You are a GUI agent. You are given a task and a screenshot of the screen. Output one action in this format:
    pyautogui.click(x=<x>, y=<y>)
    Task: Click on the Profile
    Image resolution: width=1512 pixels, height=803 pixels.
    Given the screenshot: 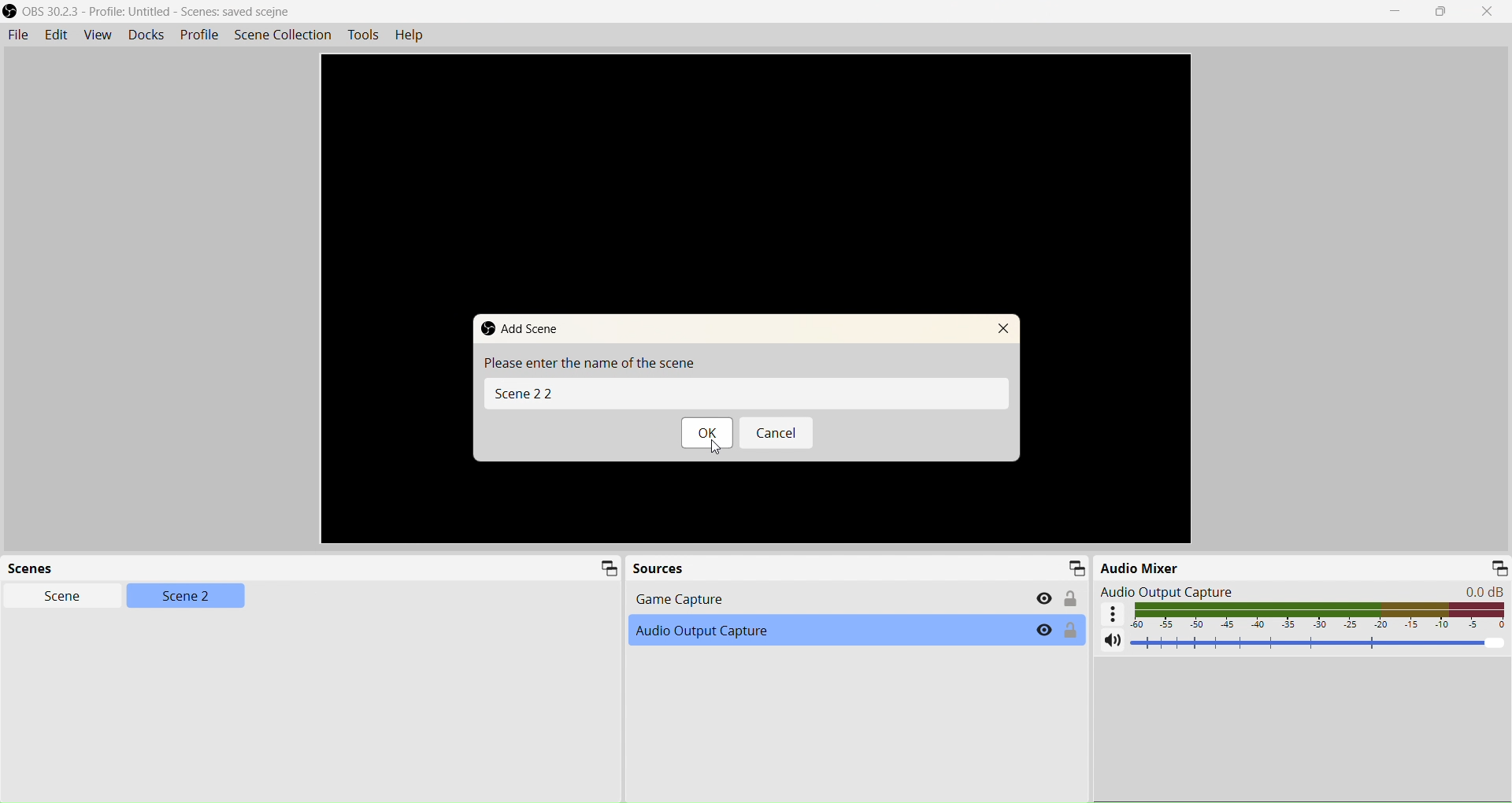 What is the action you would take?
    pyautogui.click(x=199, y=35)
    